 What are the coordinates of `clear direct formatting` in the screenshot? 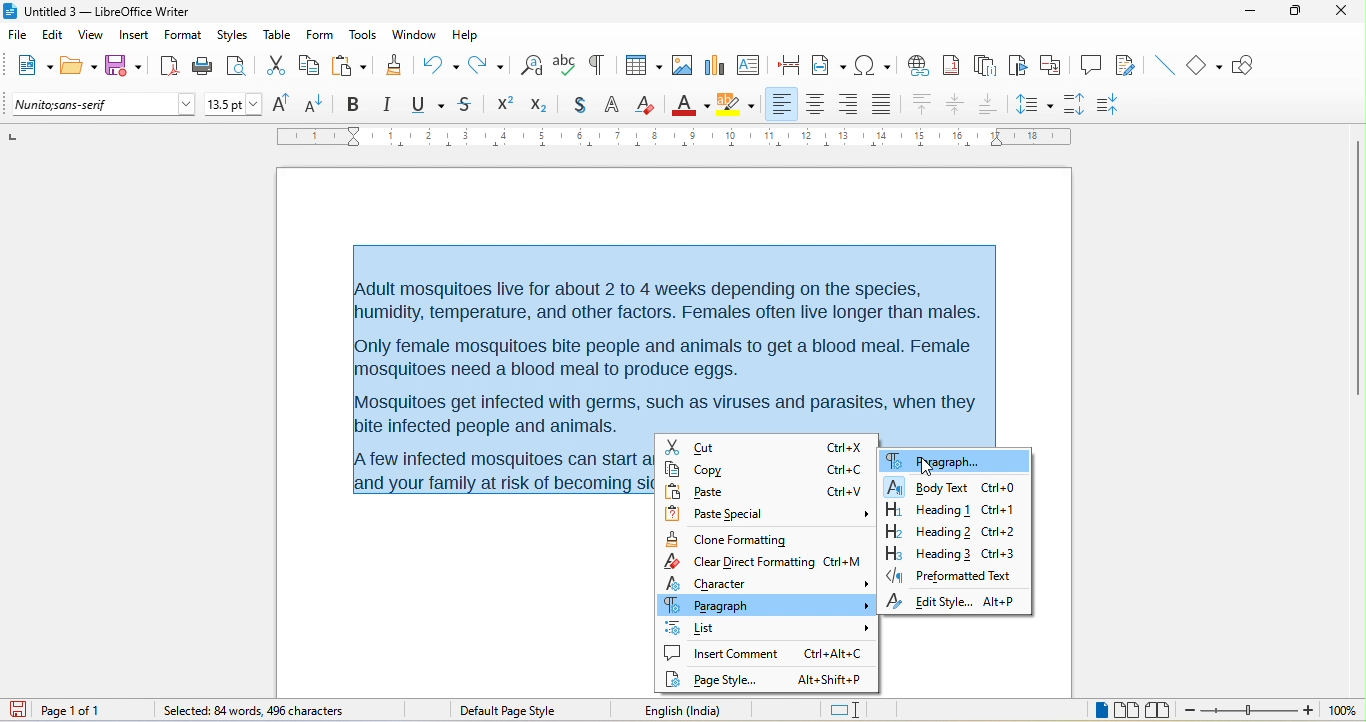 It's located at (646, 104).